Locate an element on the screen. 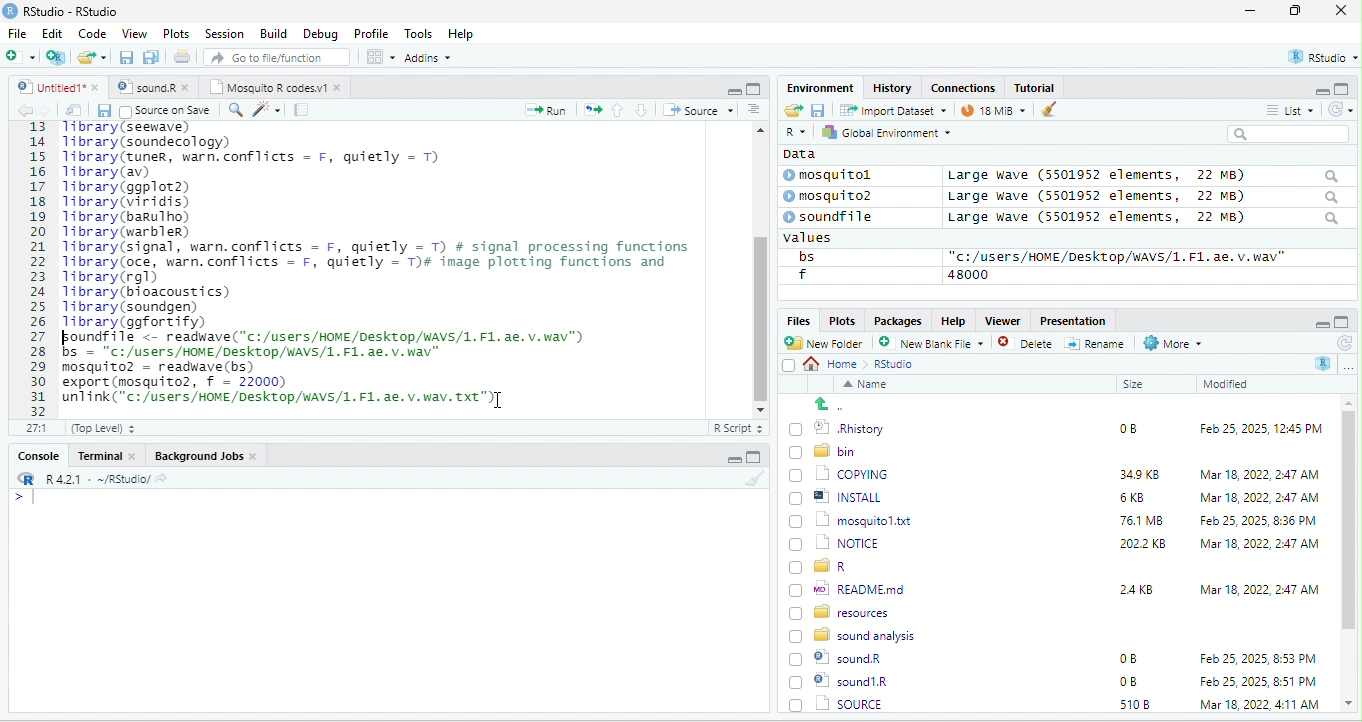  search is located at coordinates (1288, 134).